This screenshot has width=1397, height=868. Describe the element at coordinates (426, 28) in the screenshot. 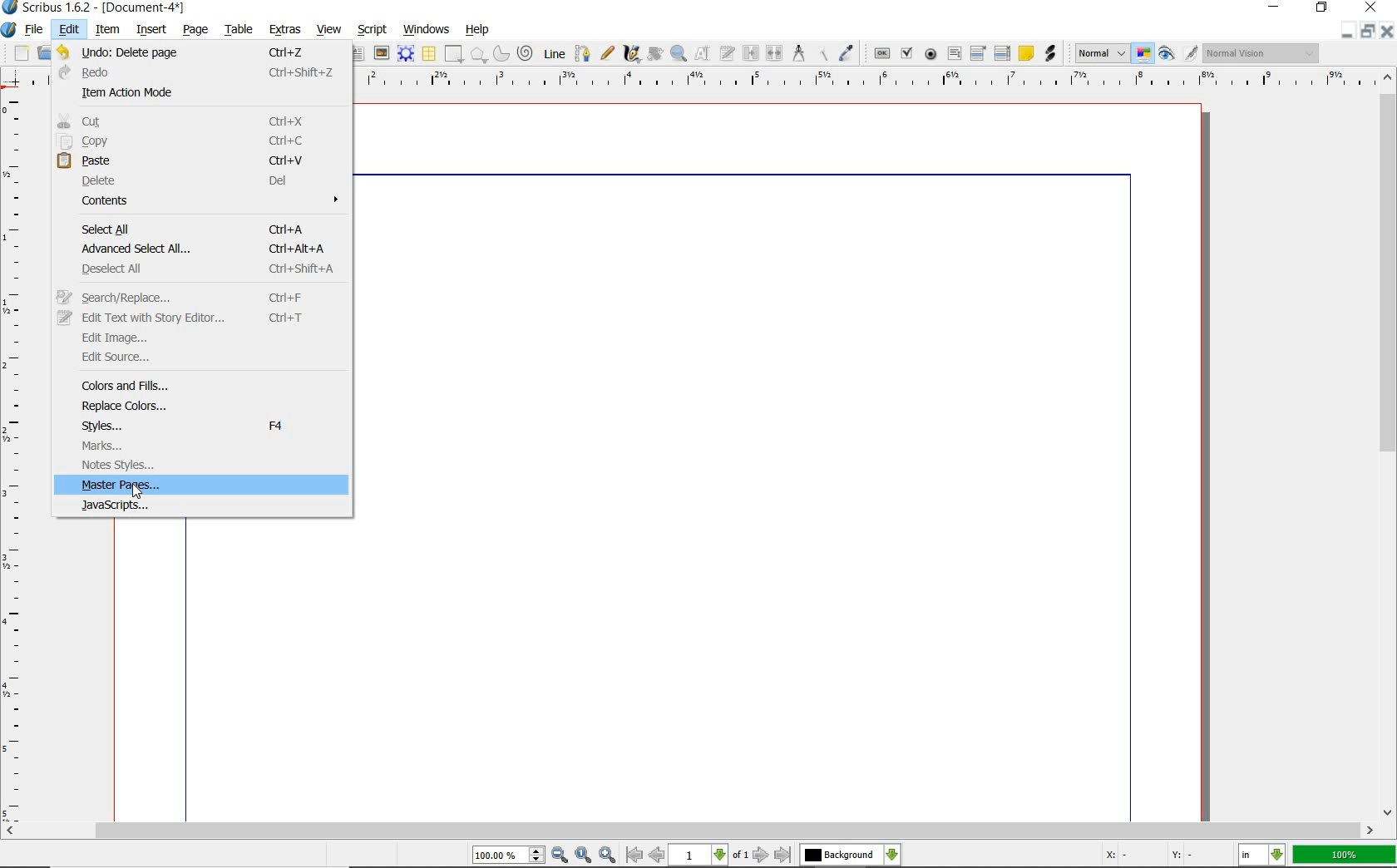

I see `windows` at that location.